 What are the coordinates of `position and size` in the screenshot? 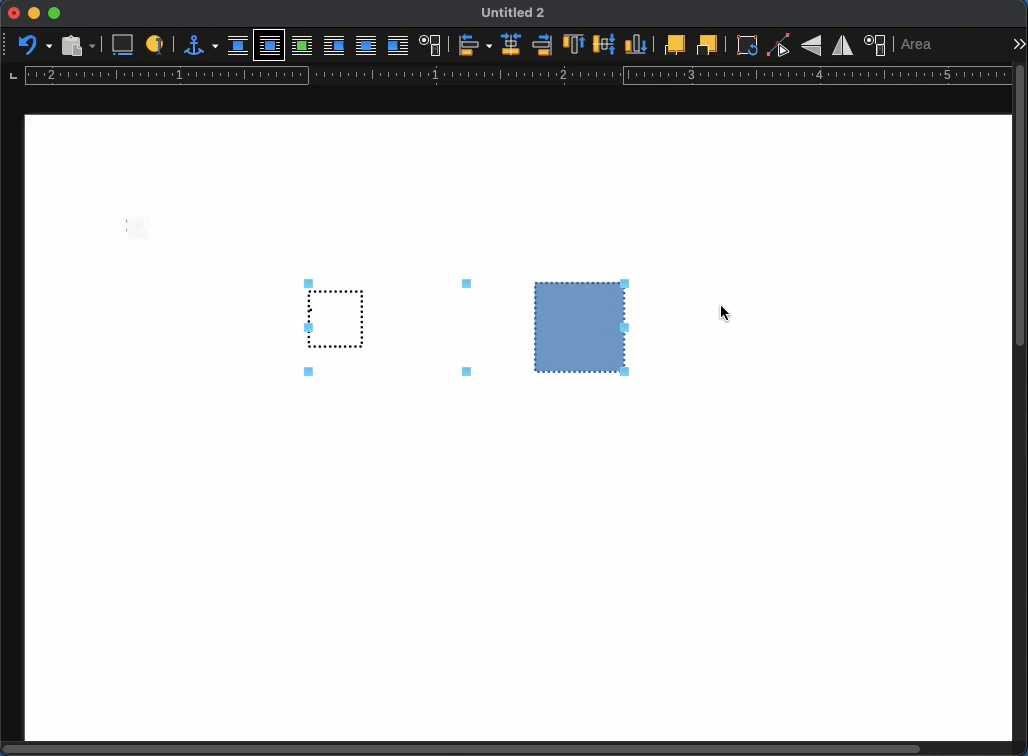 It's located at (877, 44).